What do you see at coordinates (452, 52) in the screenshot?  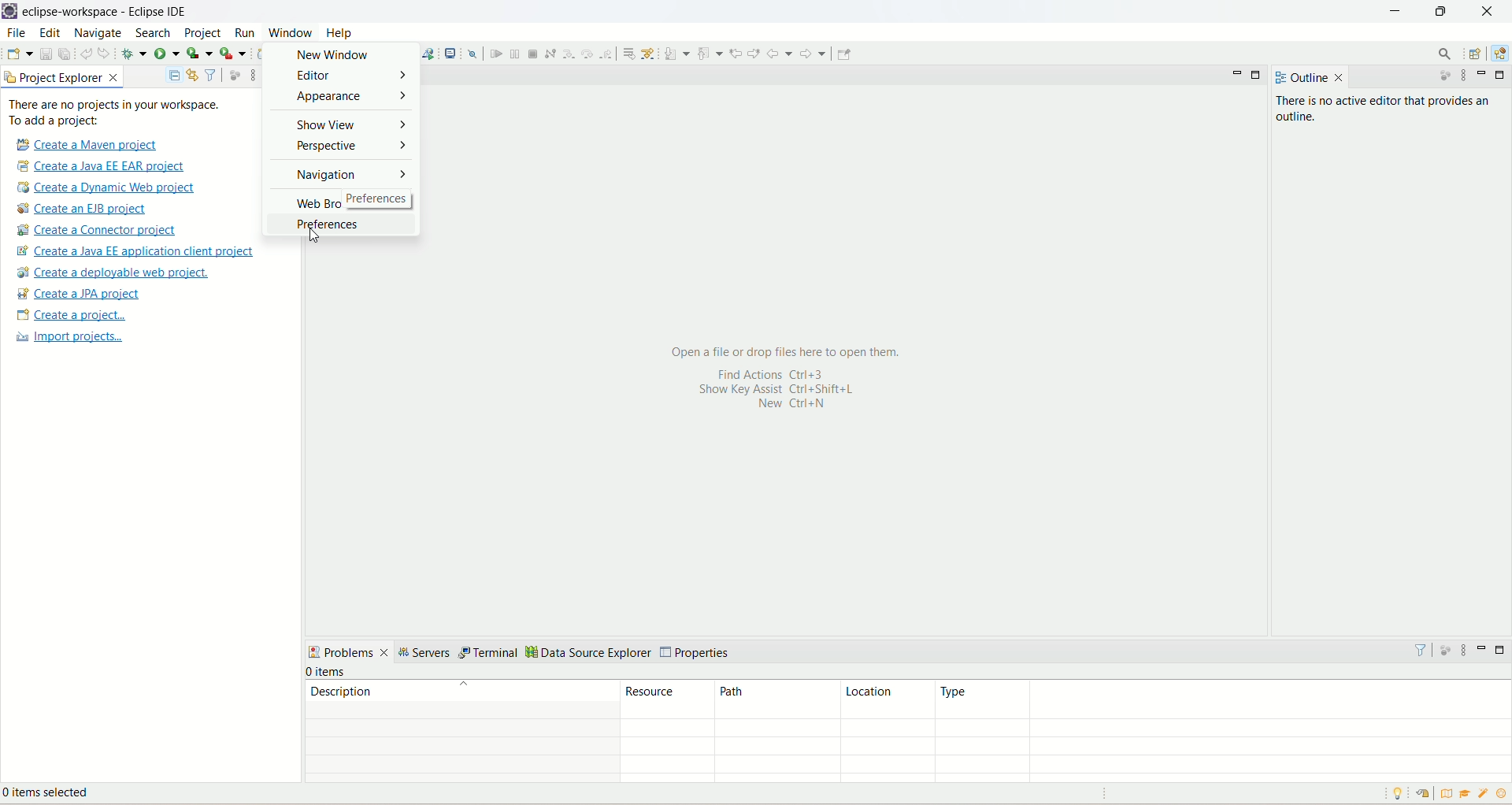 I see `open a terminal` at bounding box center [452, 52].